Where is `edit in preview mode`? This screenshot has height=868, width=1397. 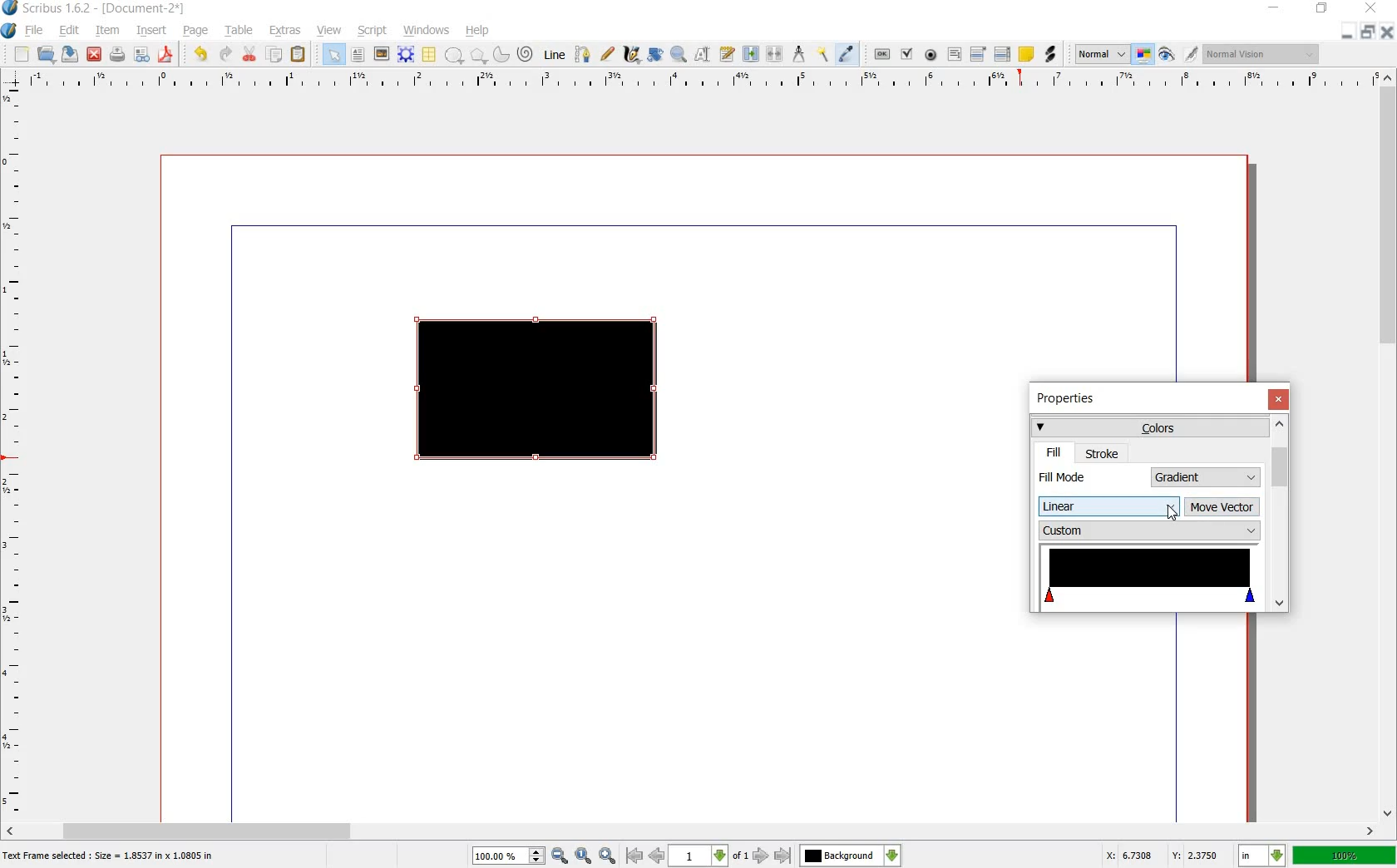 edit in preview mode is located at coordinates (1192, 55).